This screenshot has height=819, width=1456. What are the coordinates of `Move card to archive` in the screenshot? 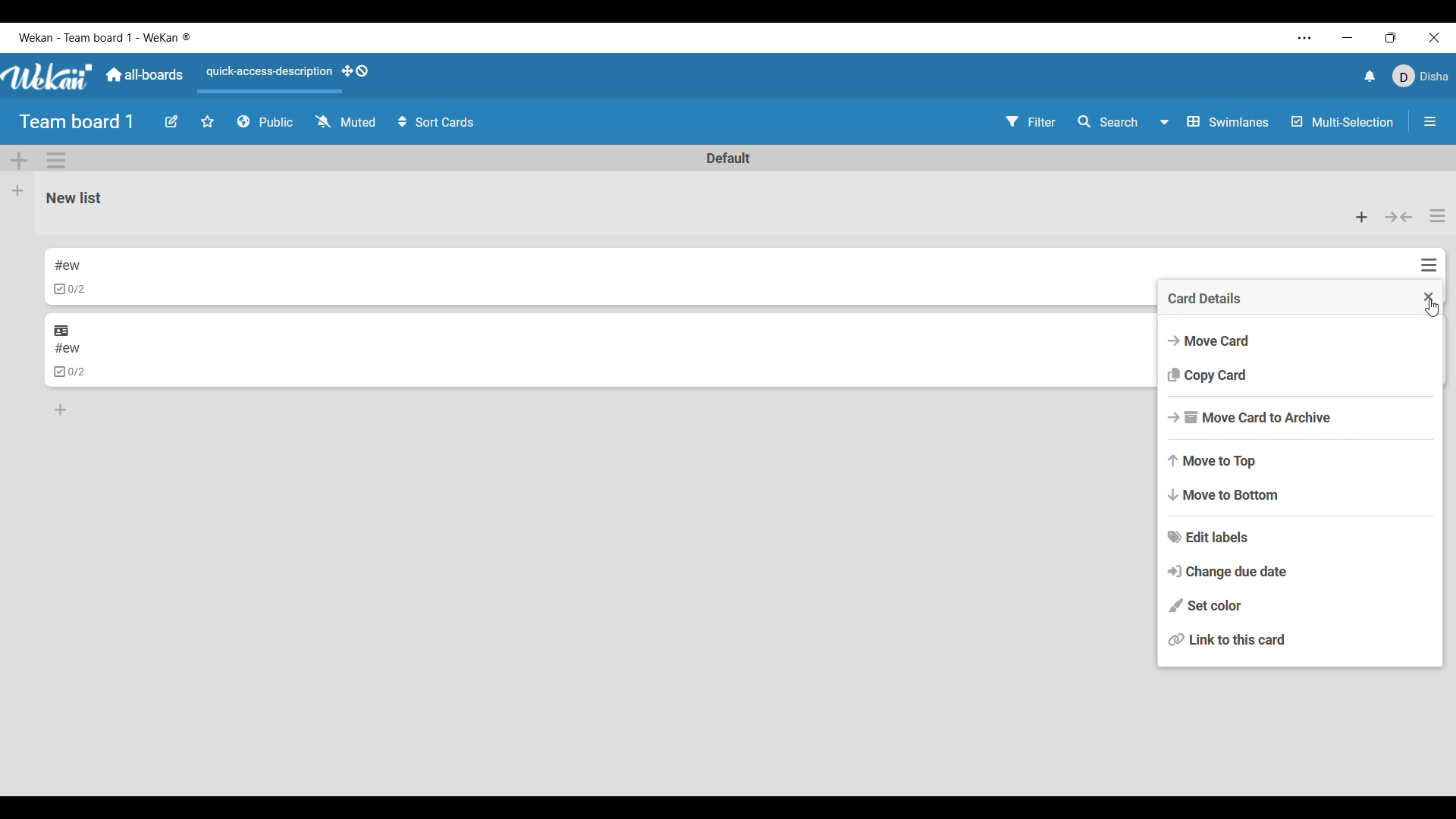 It's located at (1301, 418).